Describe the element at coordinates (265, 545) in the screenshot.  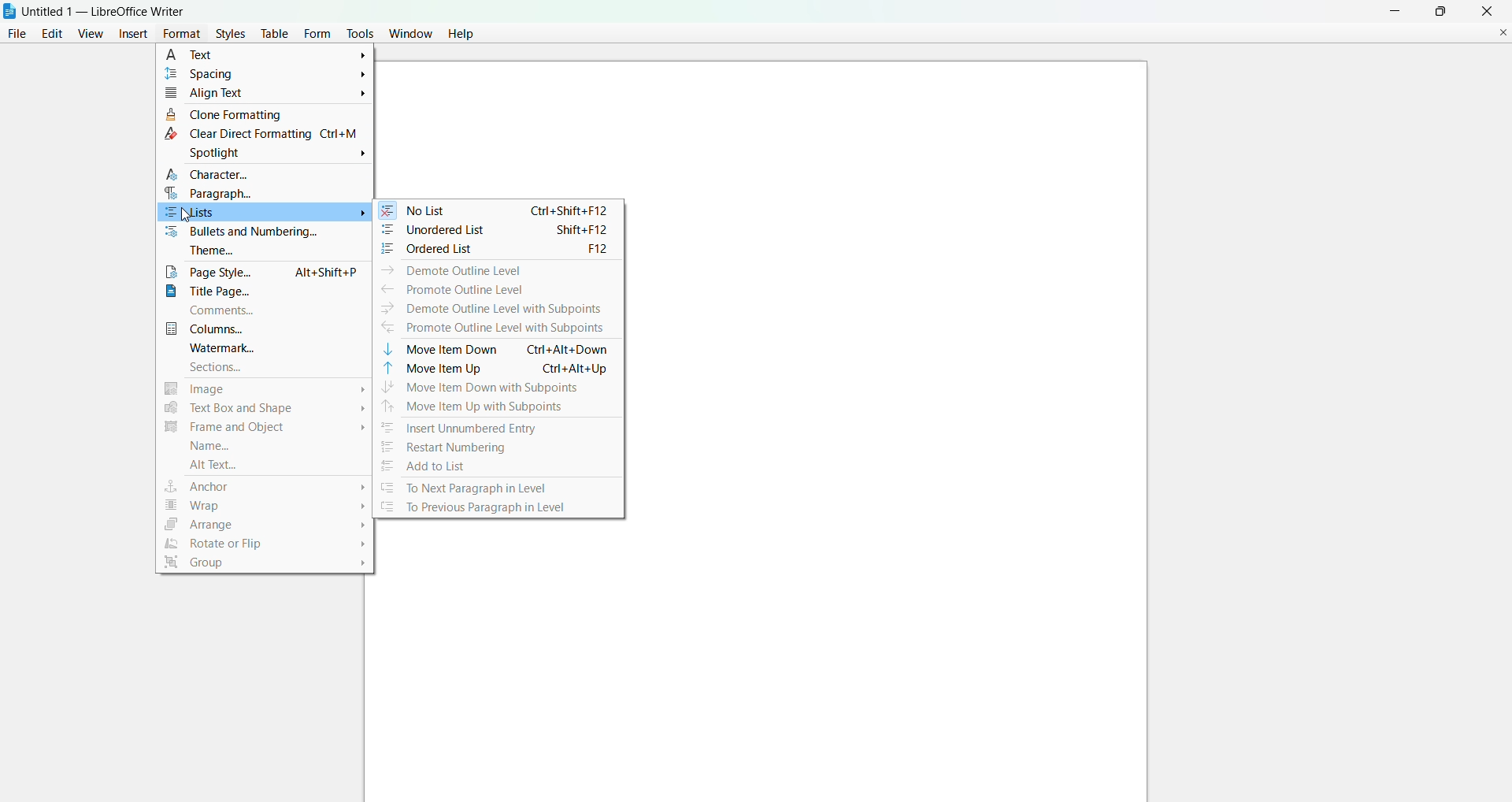
I see `rotate or flip` at that location.